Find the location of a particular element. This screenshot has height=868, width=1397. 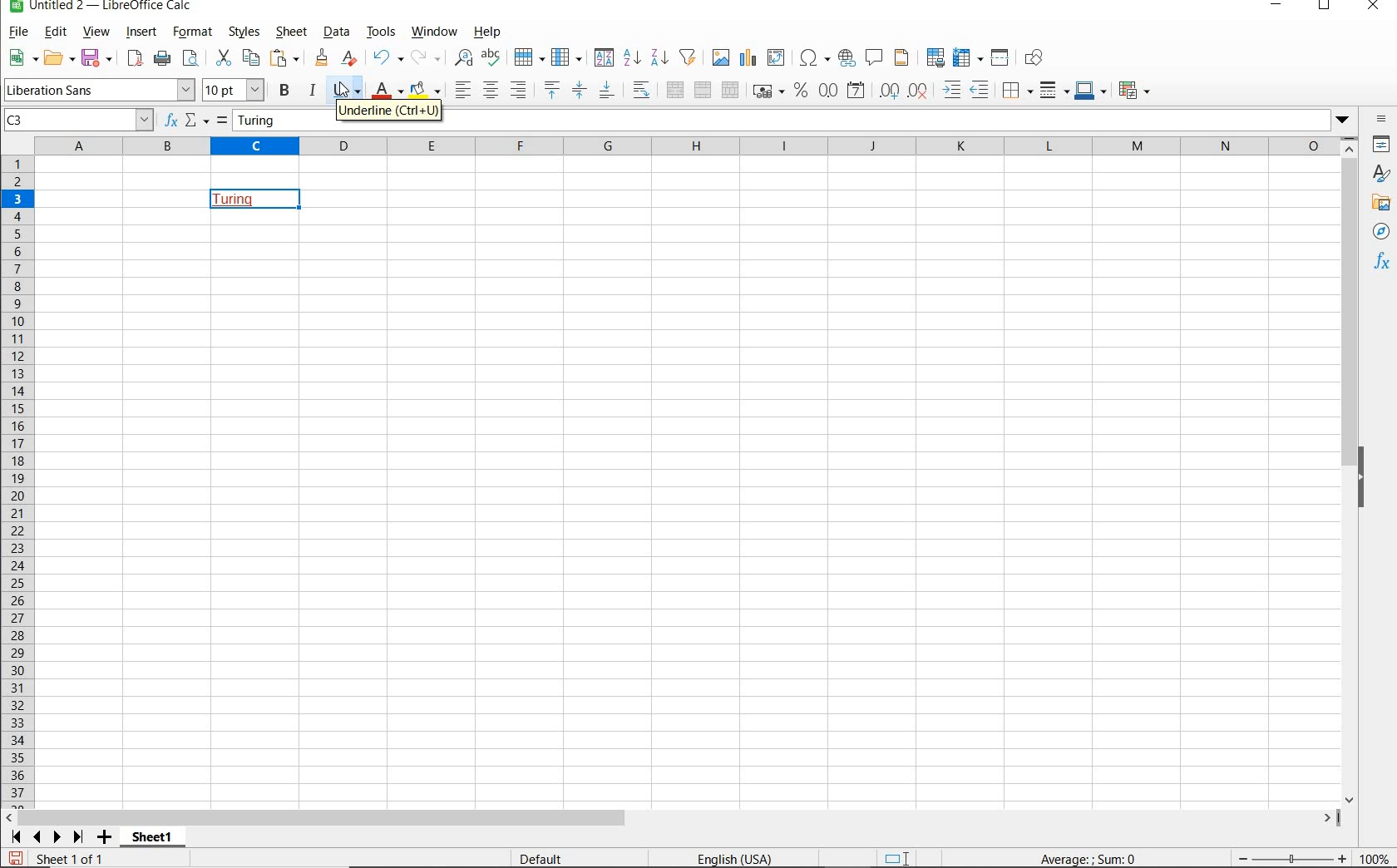

COPY is located at coordinates (252, 57).